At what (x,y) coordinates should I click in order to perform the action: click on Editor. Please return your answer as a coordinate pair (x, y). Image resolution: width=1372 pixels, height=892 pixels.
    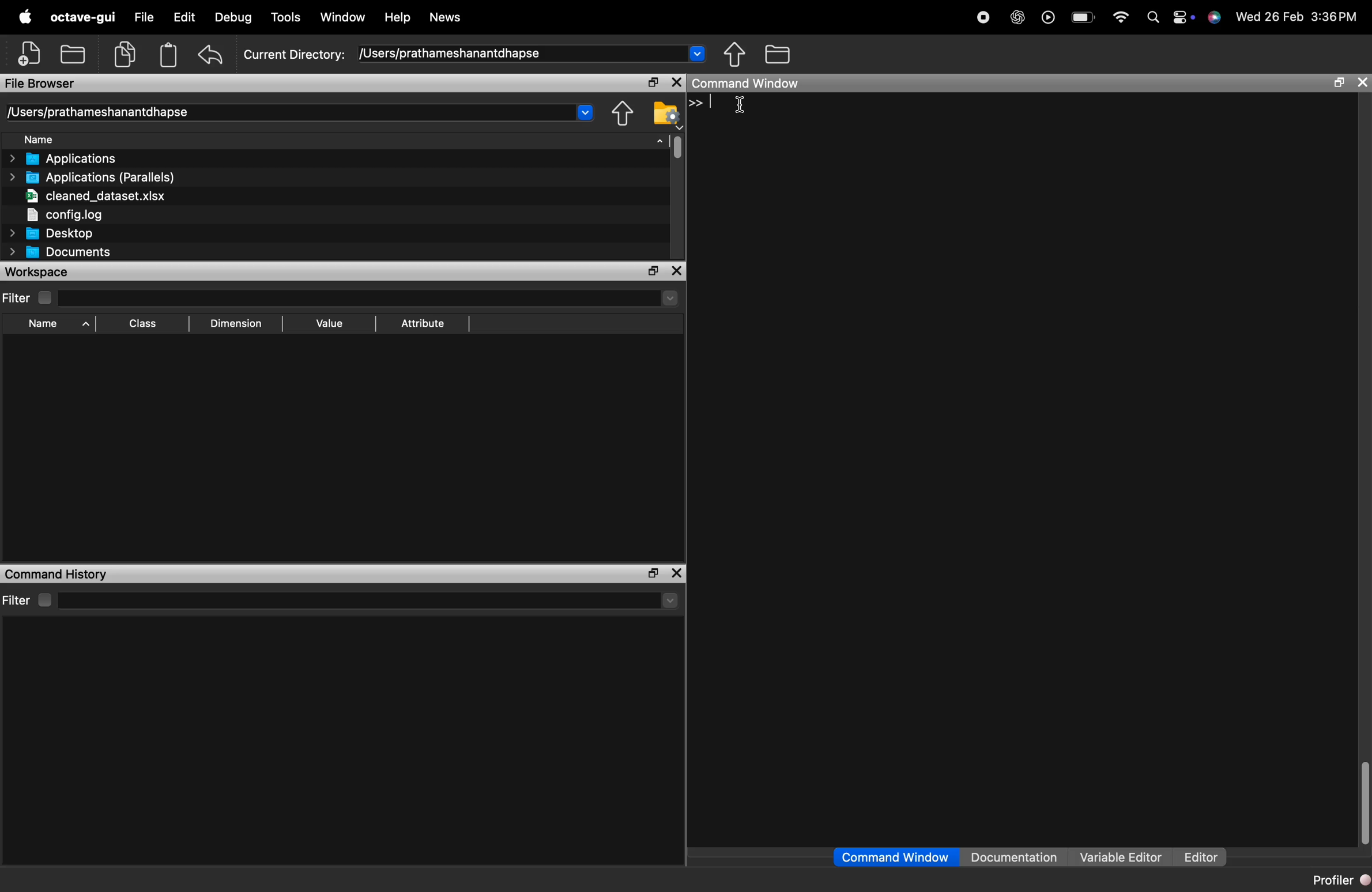
    Looking at the image, I should click on (1203, 856).